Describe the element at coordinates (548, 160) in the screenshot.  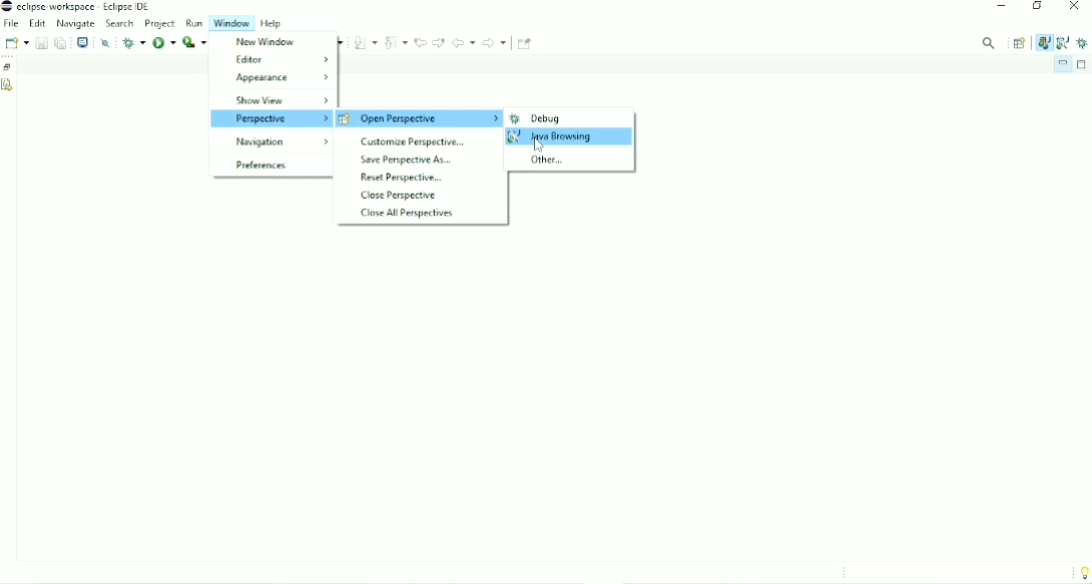
I see `Other` at that location.